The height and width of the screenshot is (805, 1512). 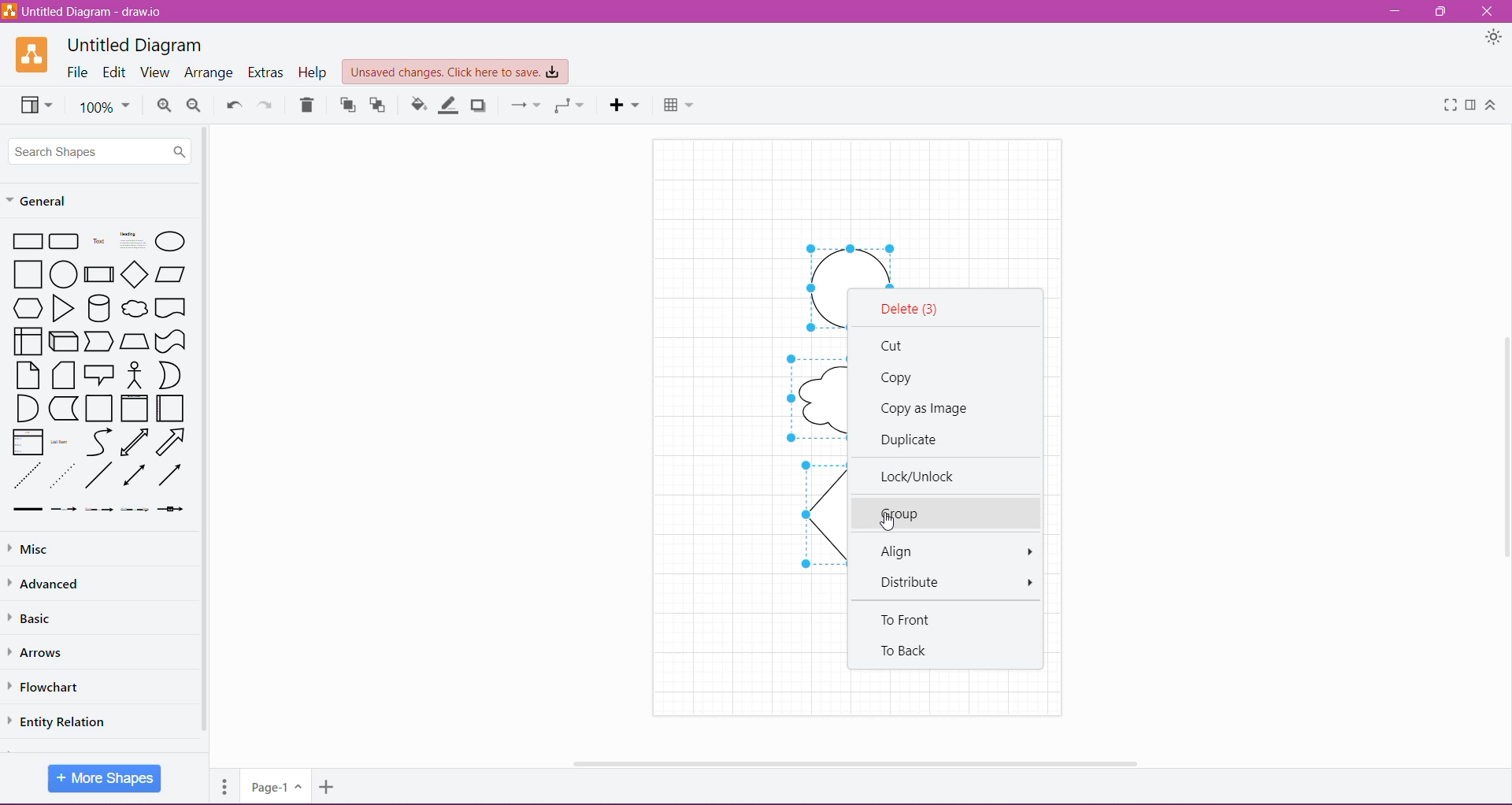 What do you see at coordinates (154, 72) in the screenshot?
I see `View` at bounding box center [154, 72].